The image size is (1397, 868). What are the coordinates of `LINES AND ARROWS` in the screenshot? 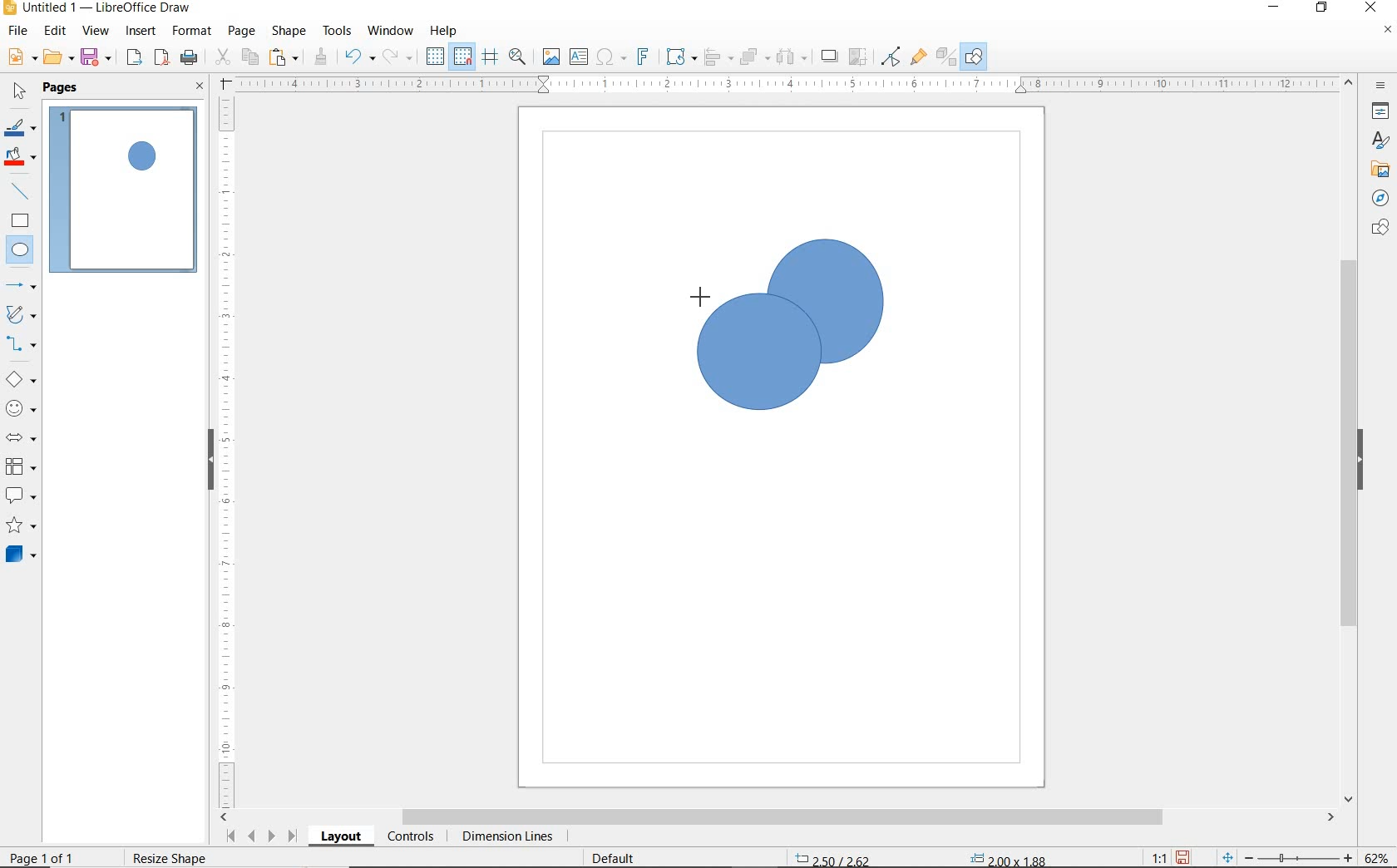 It's located at (22, 287).